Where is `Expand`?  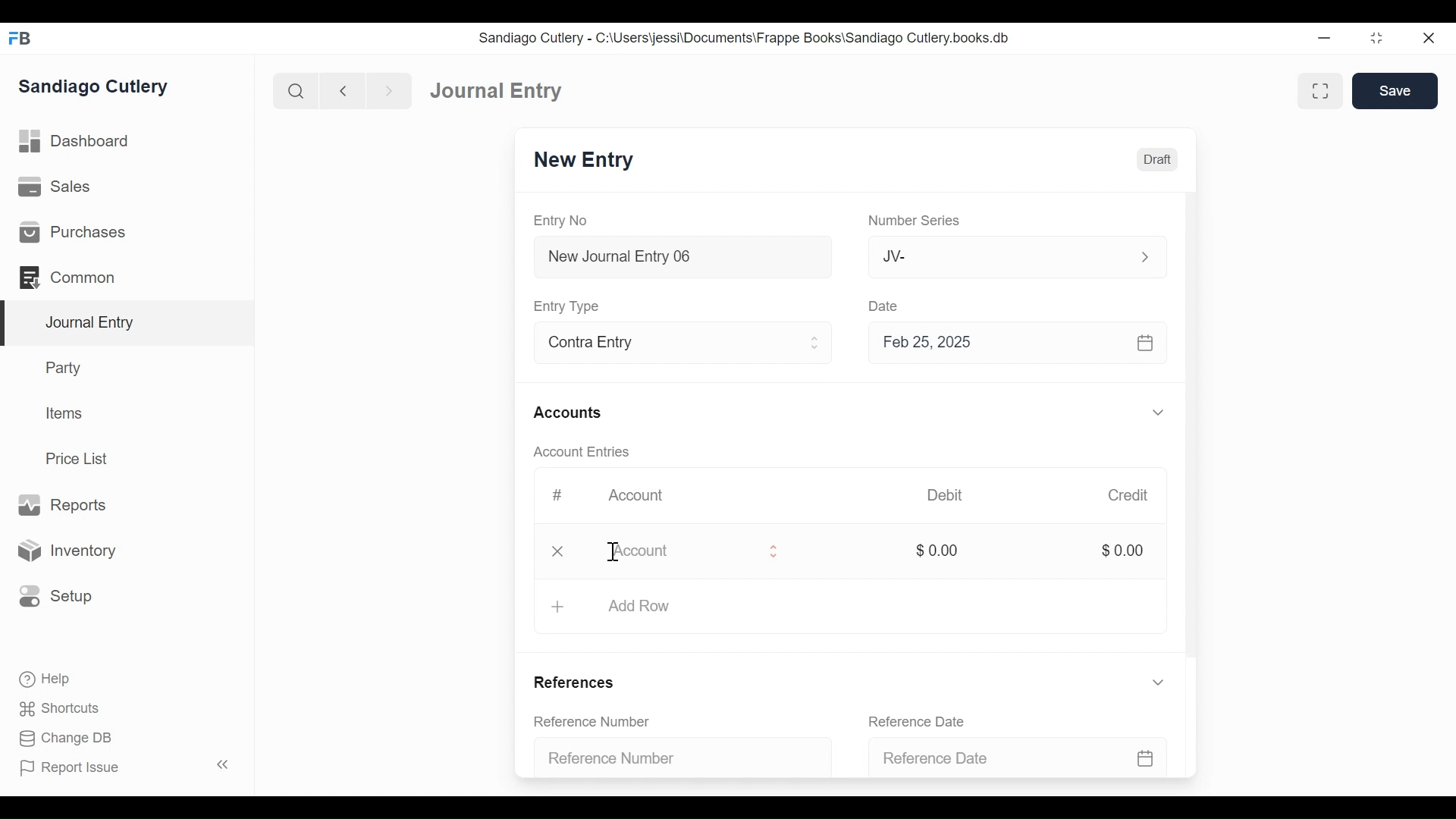 Expand is located at coordinates (1161, 413).